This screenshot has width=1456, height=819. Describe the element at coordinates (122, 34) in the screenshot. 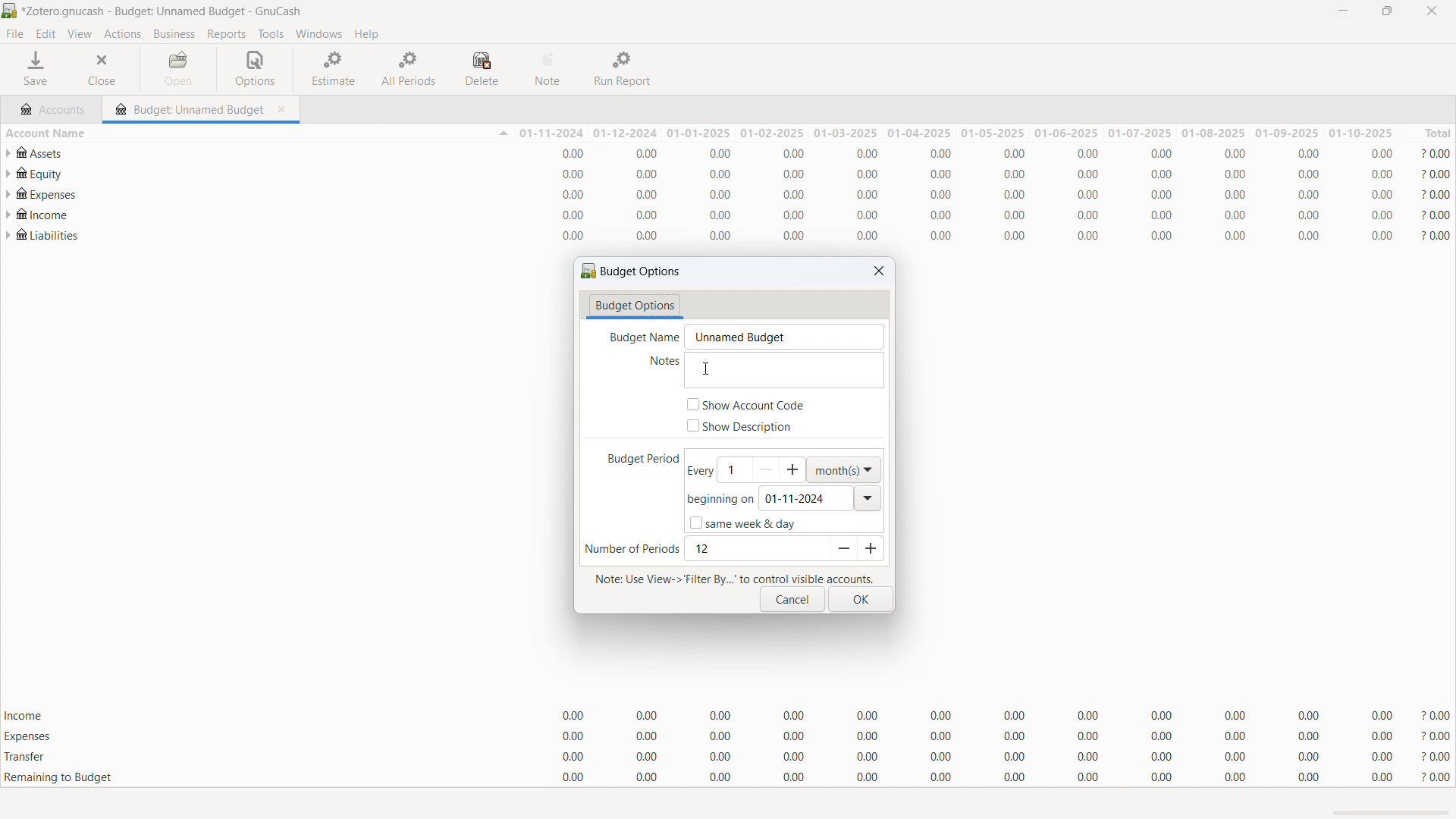

I see `actions` at that location.